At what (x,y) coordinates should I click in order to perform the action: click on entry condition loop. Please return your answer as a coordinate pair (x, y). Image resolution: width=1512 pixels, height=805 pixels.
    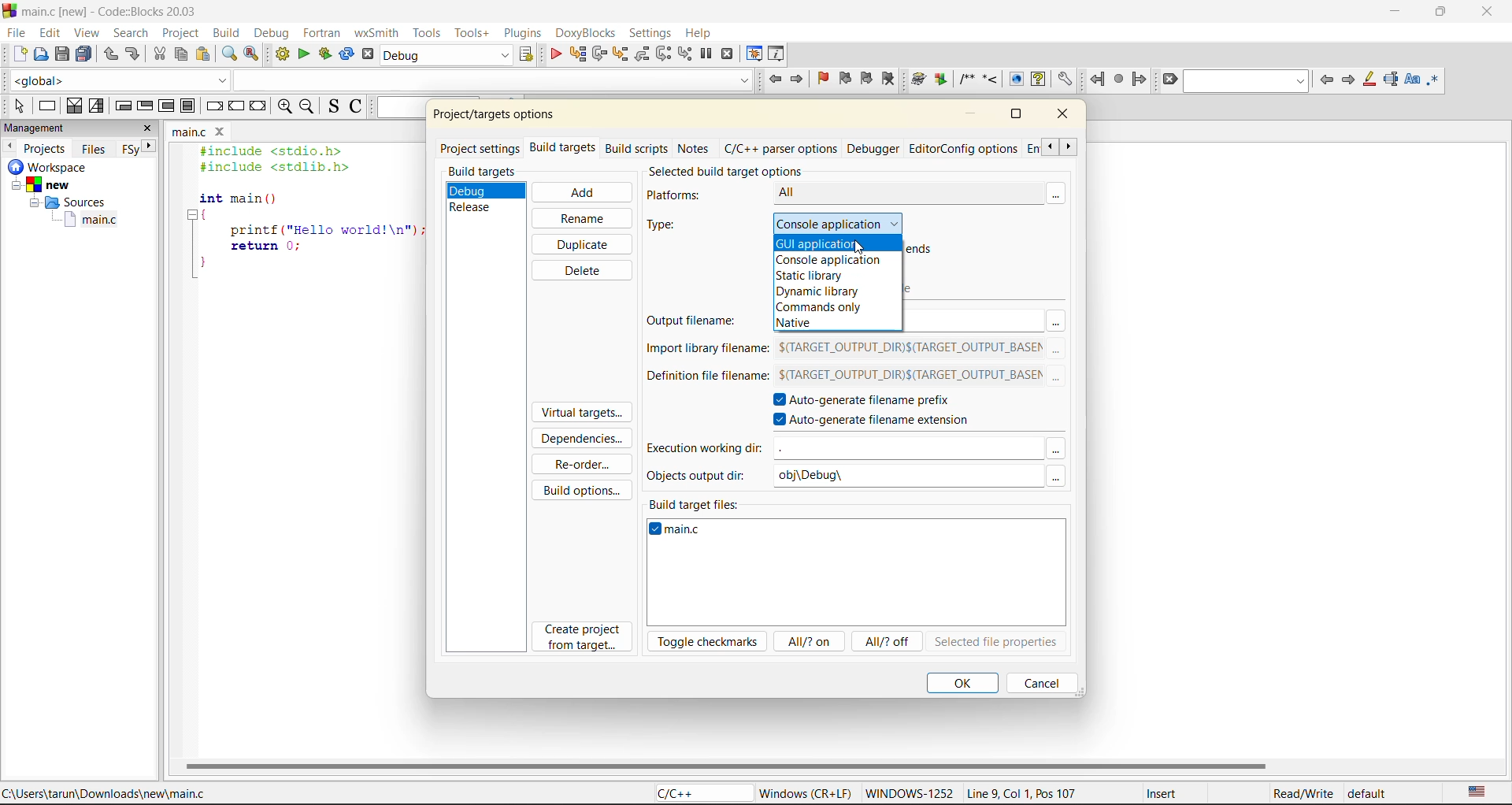
    Looking at the image, I should click on (122, 107).